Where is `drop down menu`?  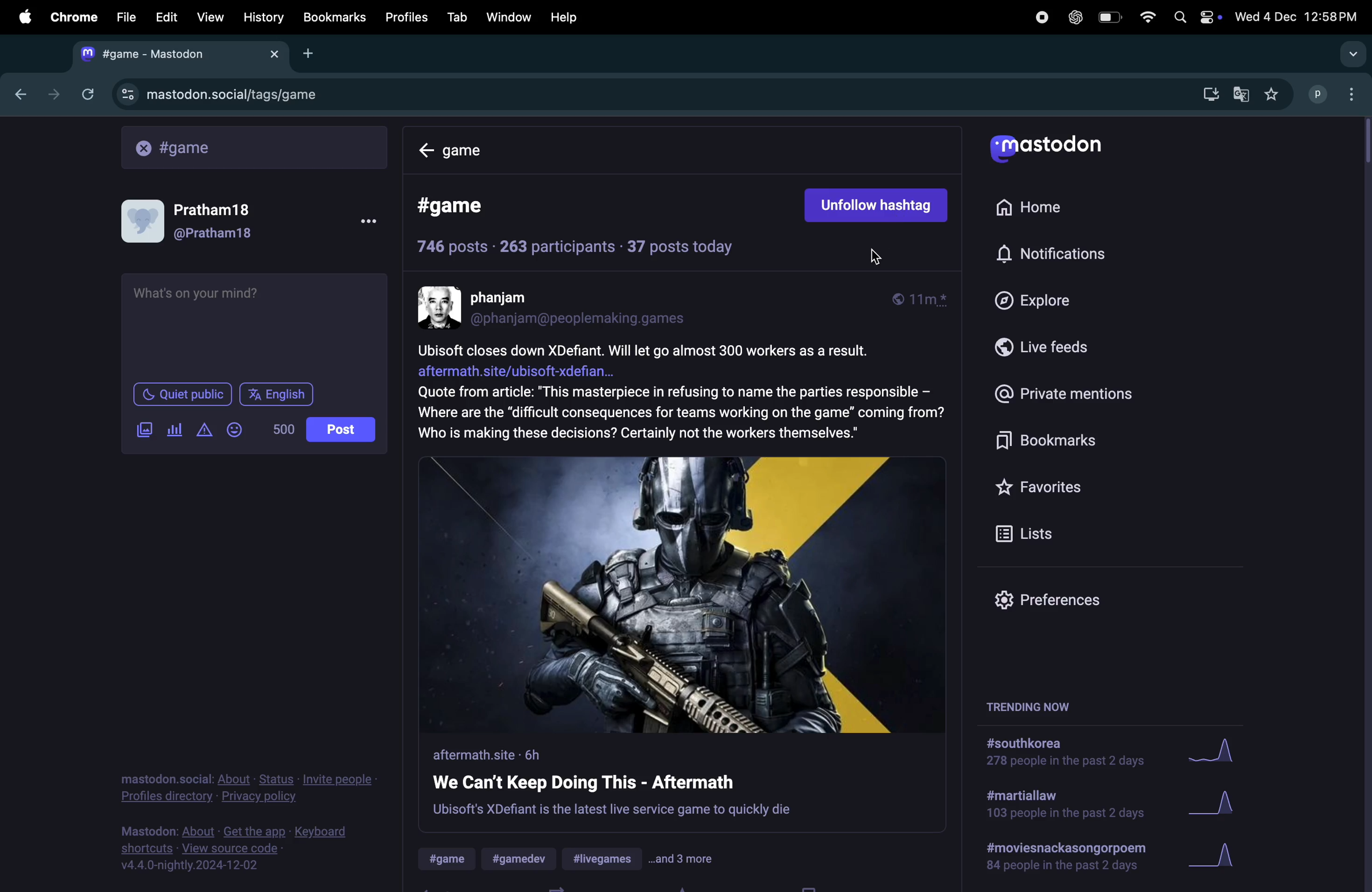
drop down menu is located at coordinates (1348, 52).